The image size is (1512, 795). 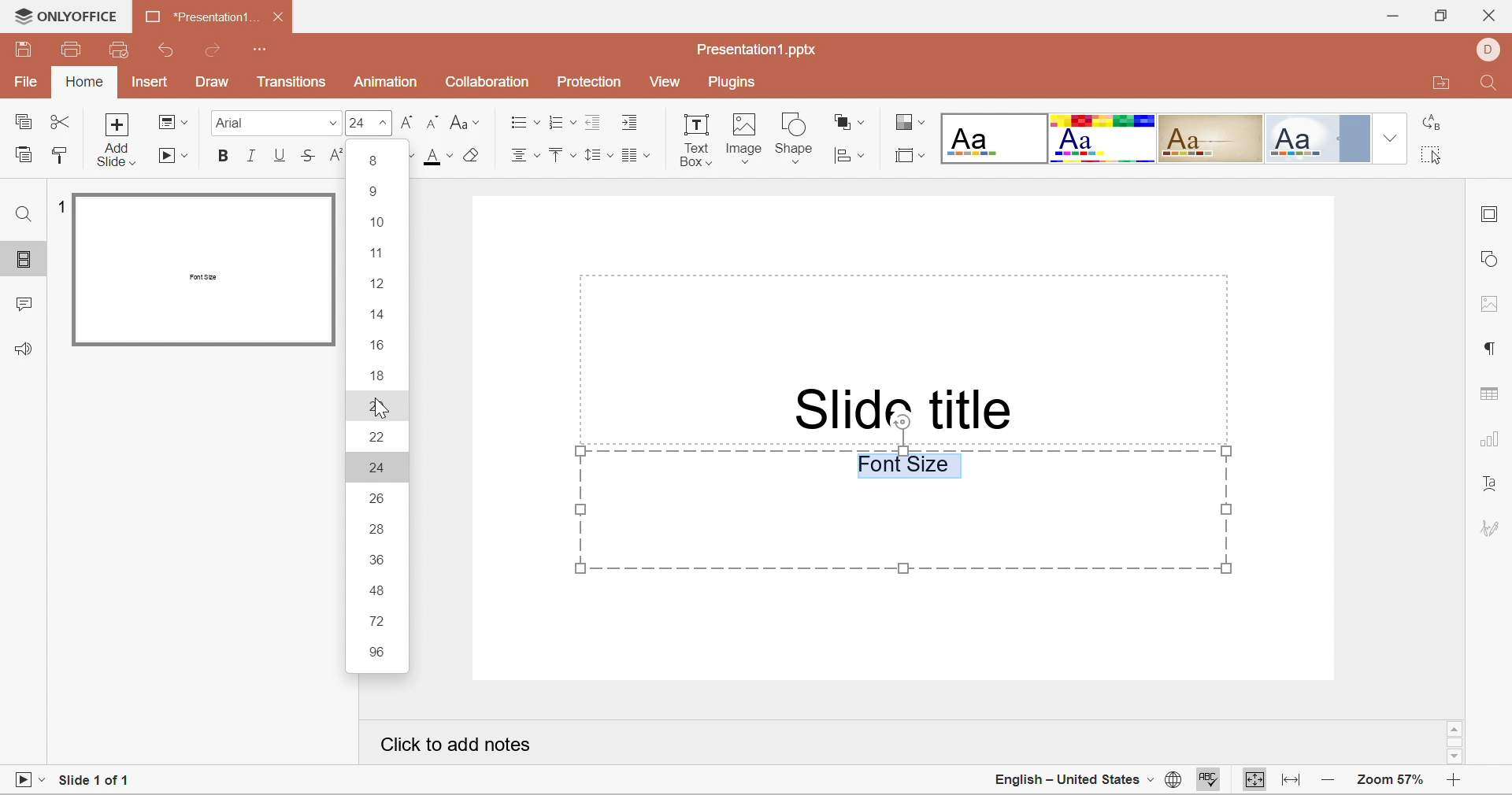 I want to click on Align center, so click(x=526, y=159).